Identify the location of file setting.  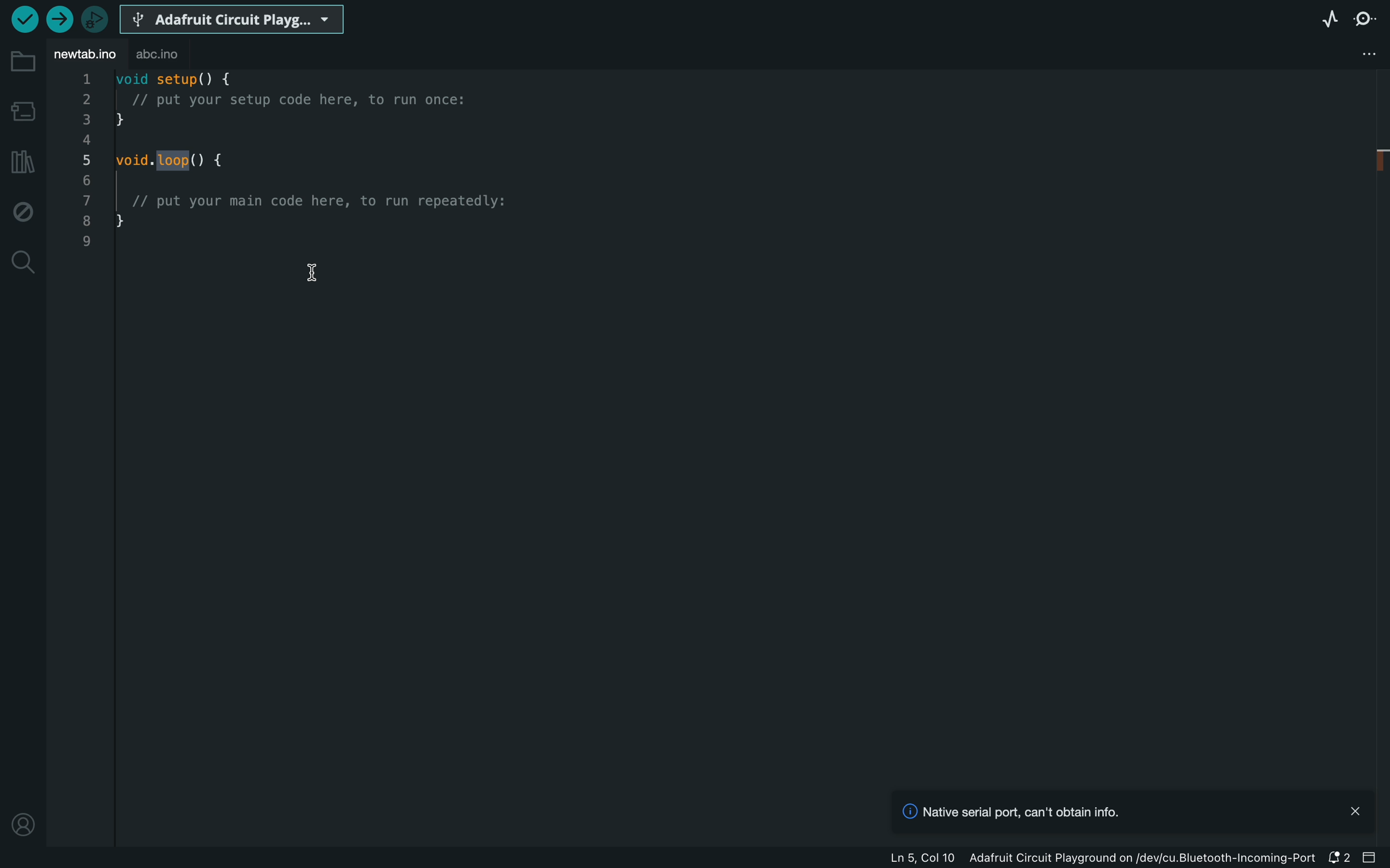
(1365, 54).